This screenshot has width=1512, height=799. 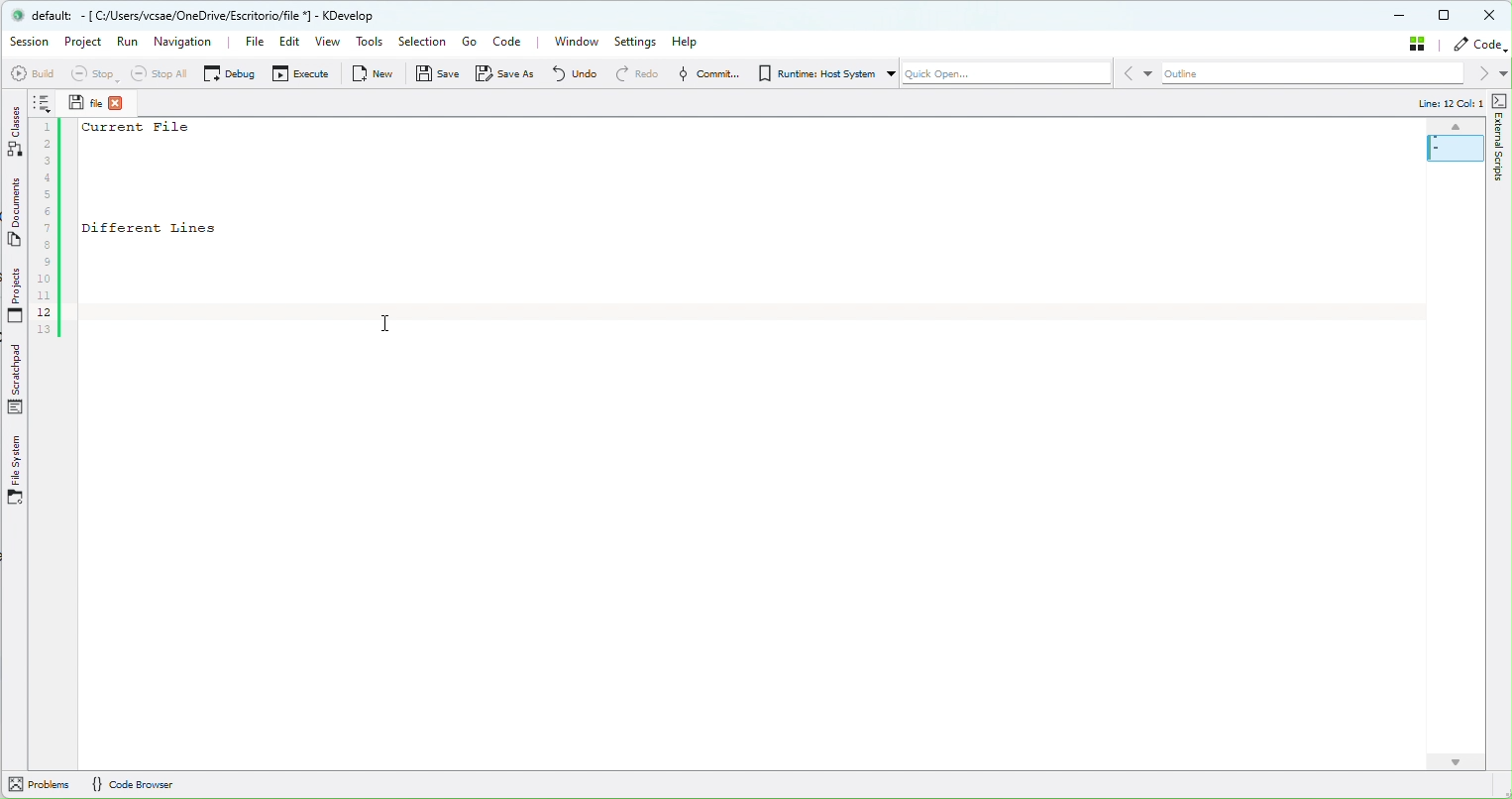 What do you see at coordinates (129, 42) in the screenshot?
I see `Run` at bounding box center [129, 42].